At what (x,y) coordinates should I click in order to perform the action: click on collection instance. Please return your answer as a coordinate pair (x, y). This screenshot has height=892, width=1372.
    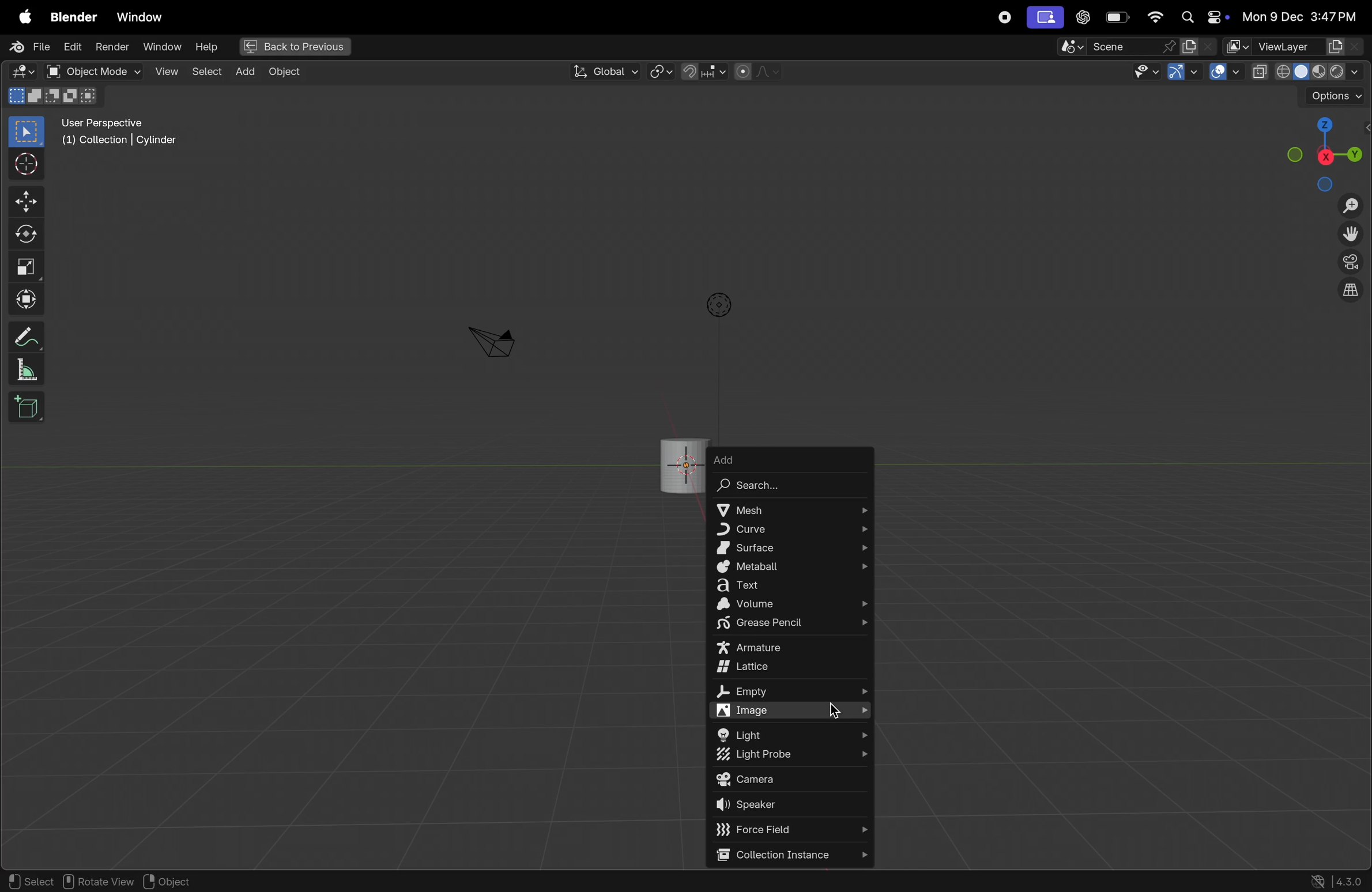
    Looking at the image, I should click on (790, 855).